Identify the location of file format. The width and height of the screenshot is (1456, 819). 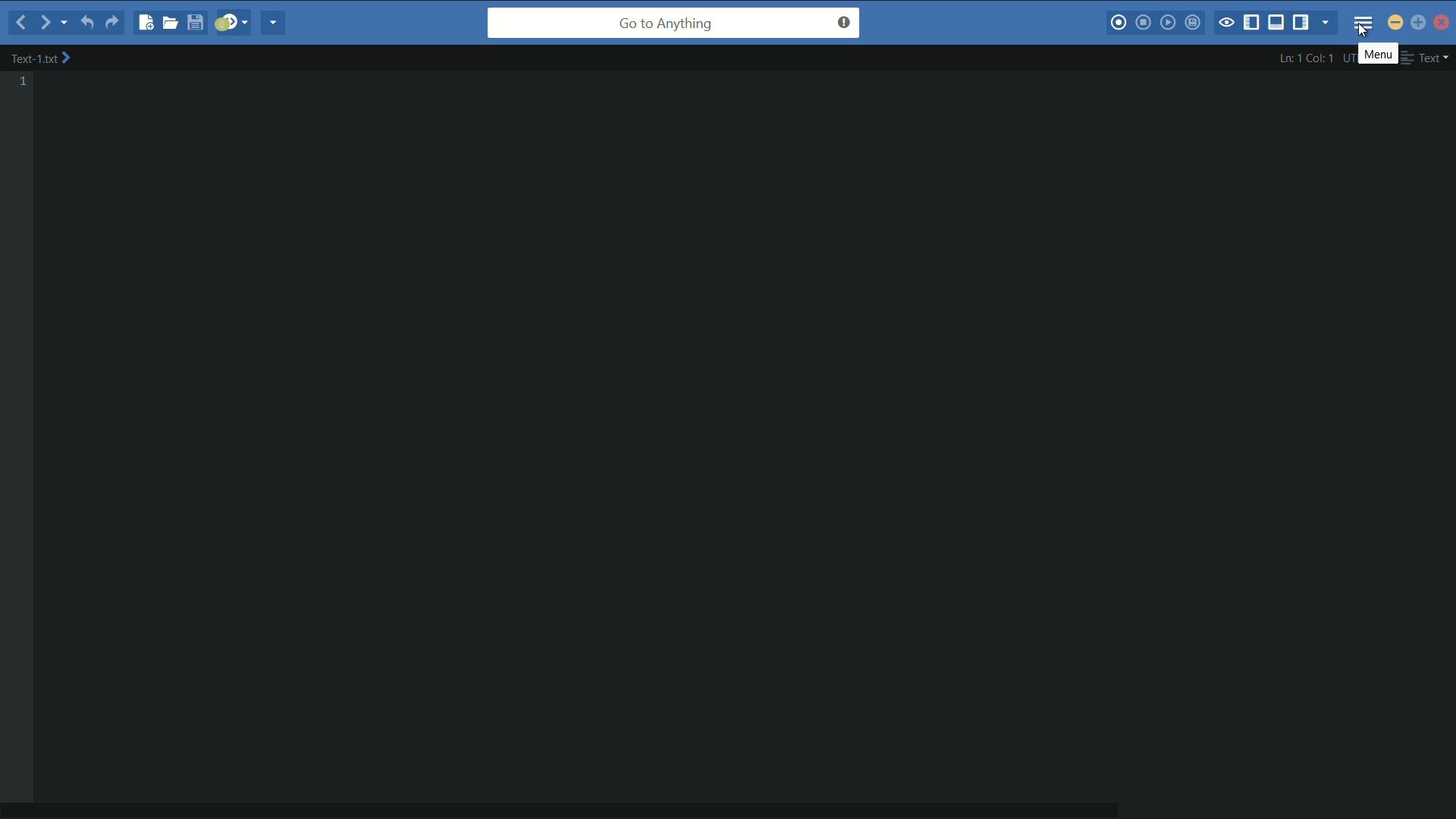
(1429, 57).